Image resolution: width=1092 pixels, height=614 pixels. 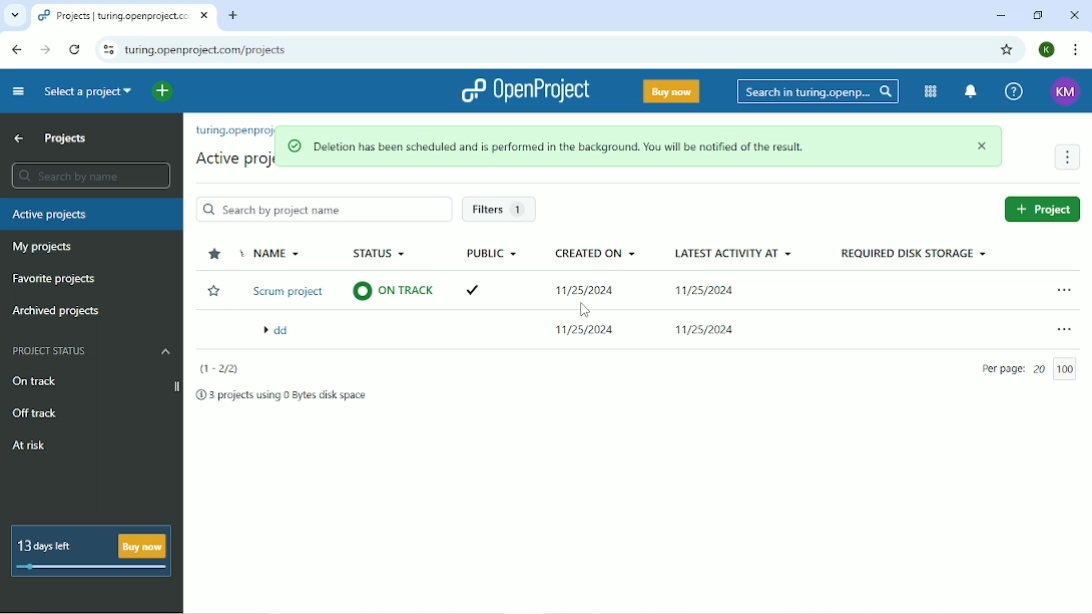 I want to click on Search tabs, so click(x=15, y=16).